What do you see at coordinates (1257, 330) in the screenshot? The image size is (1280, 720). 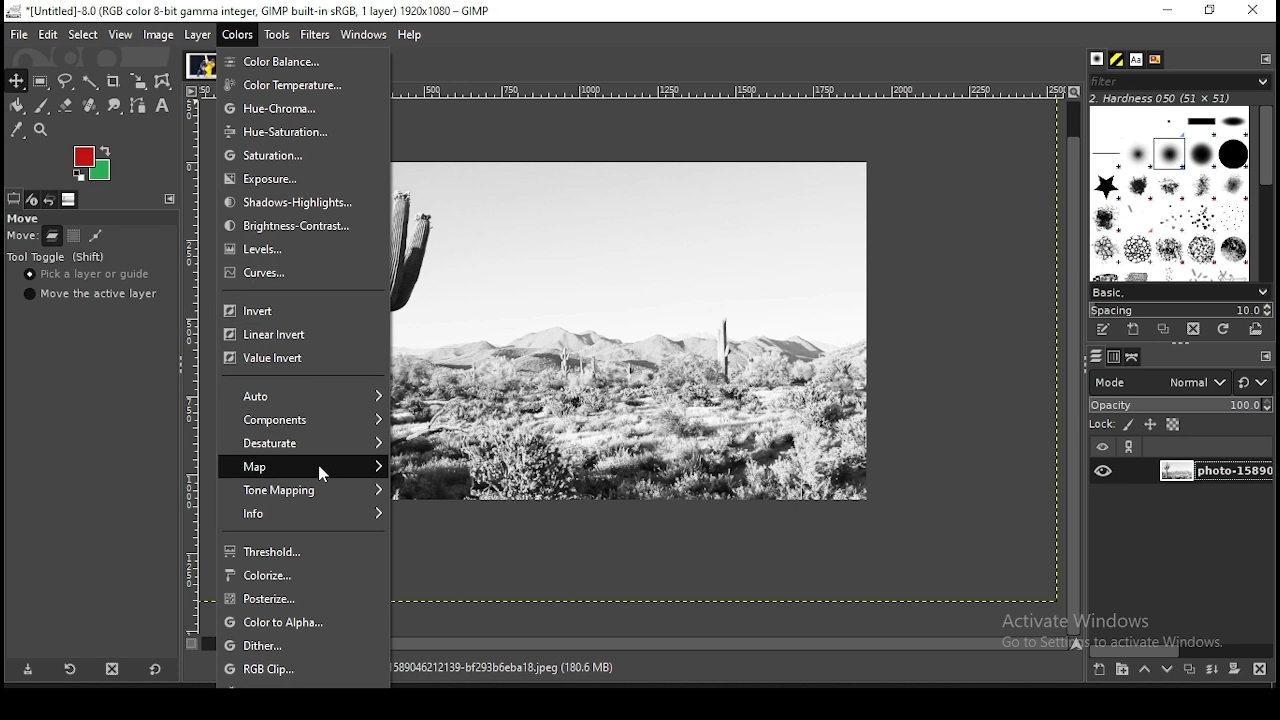 I see `open brush as image` at bounding box center [1257, 330].